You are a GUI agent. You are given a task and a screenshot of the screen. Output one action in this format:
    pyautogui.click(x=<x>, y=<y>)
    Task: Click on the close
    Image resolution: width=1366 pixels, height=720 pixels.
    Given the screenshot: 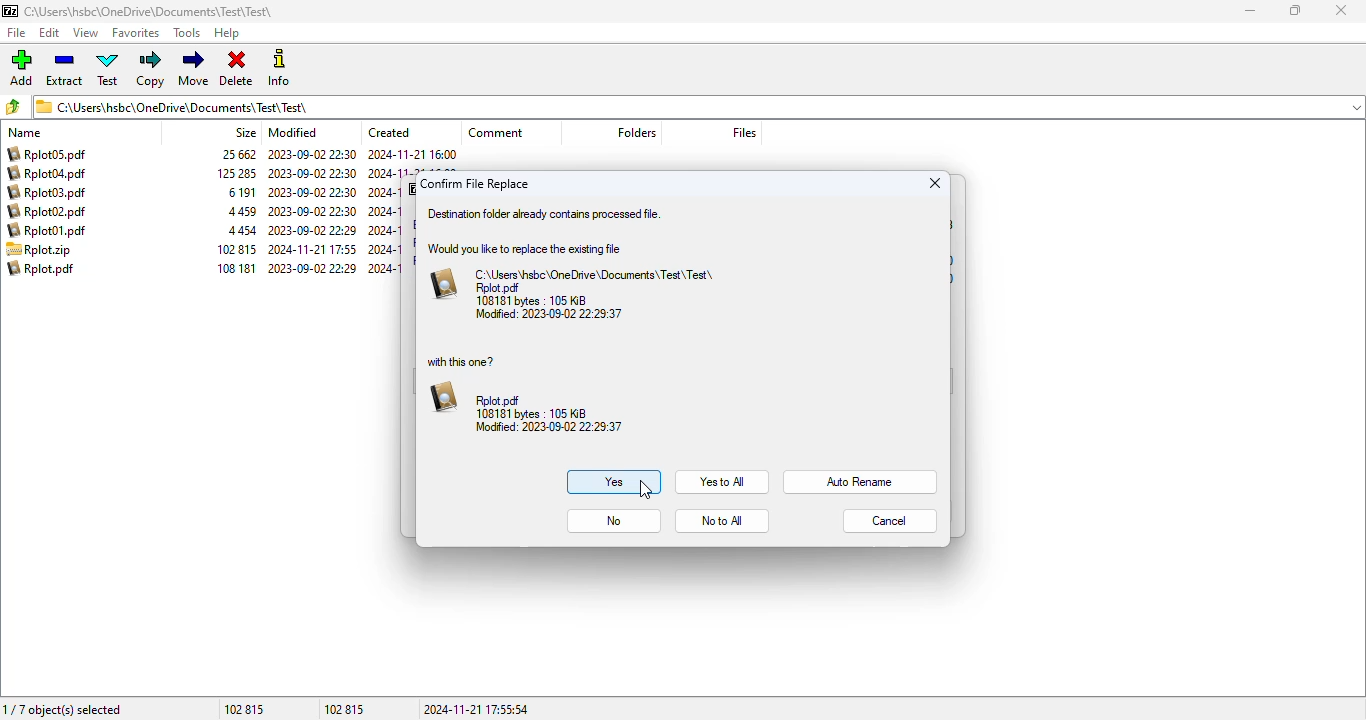 What is the action you would take?
    pyautogui.click(x=1340, y=10)
    